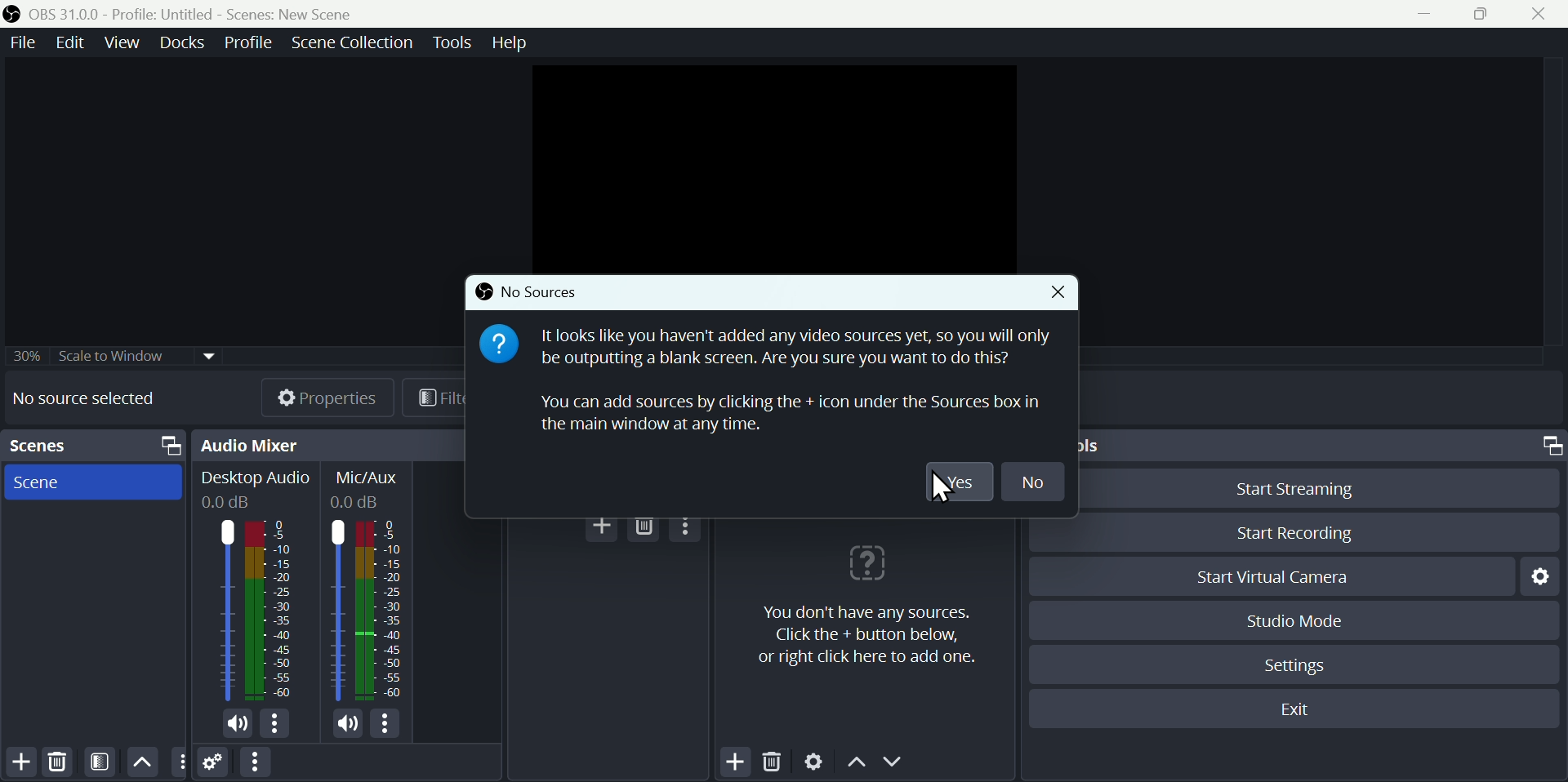 The image size is (1568, 782). Describe the element at coordinates (44, 484) in the screenshot. I see ` Scenes` at that location.